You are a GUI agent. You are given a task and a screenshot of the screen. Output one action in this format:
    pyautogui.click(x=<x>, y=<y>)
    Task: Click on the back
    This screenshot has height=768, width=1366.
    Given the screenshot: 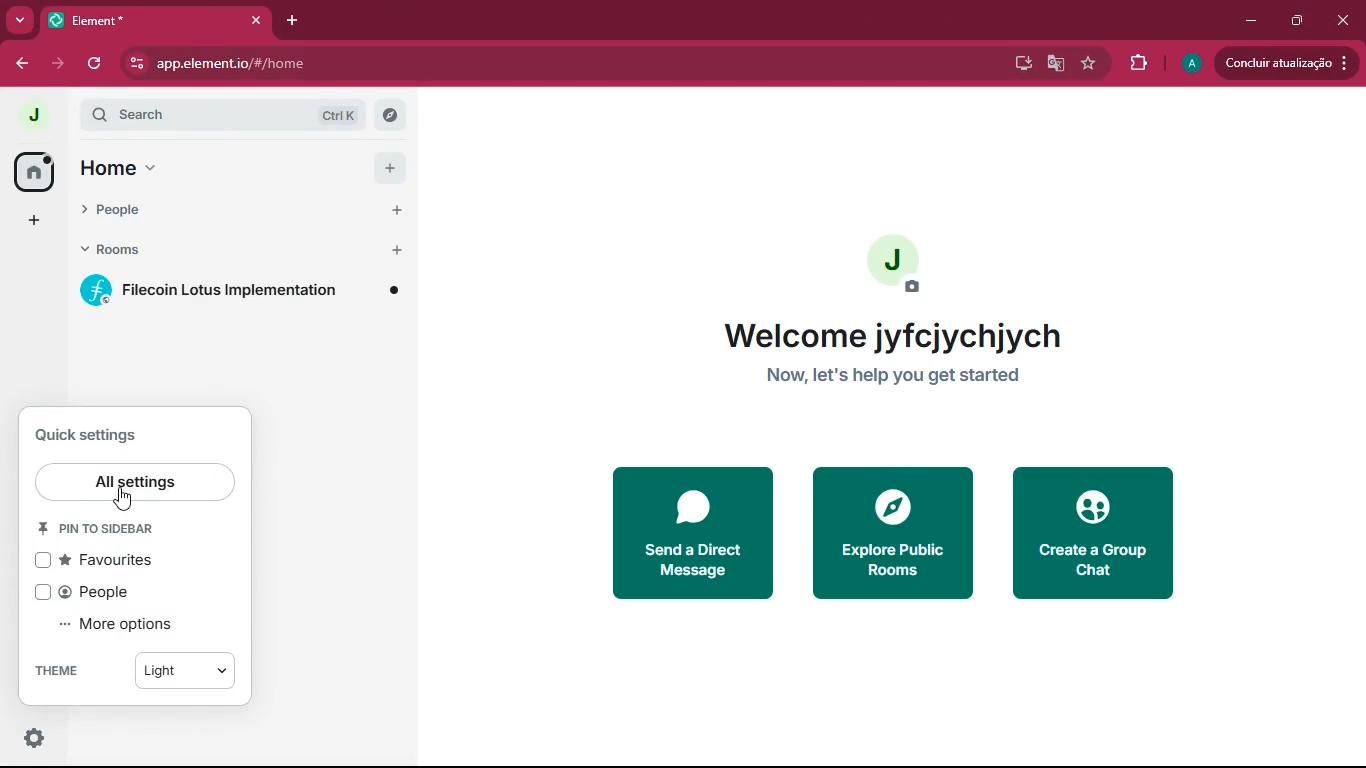 What is the action you would take?
    pyautogui.click(x=20, y=61)
    